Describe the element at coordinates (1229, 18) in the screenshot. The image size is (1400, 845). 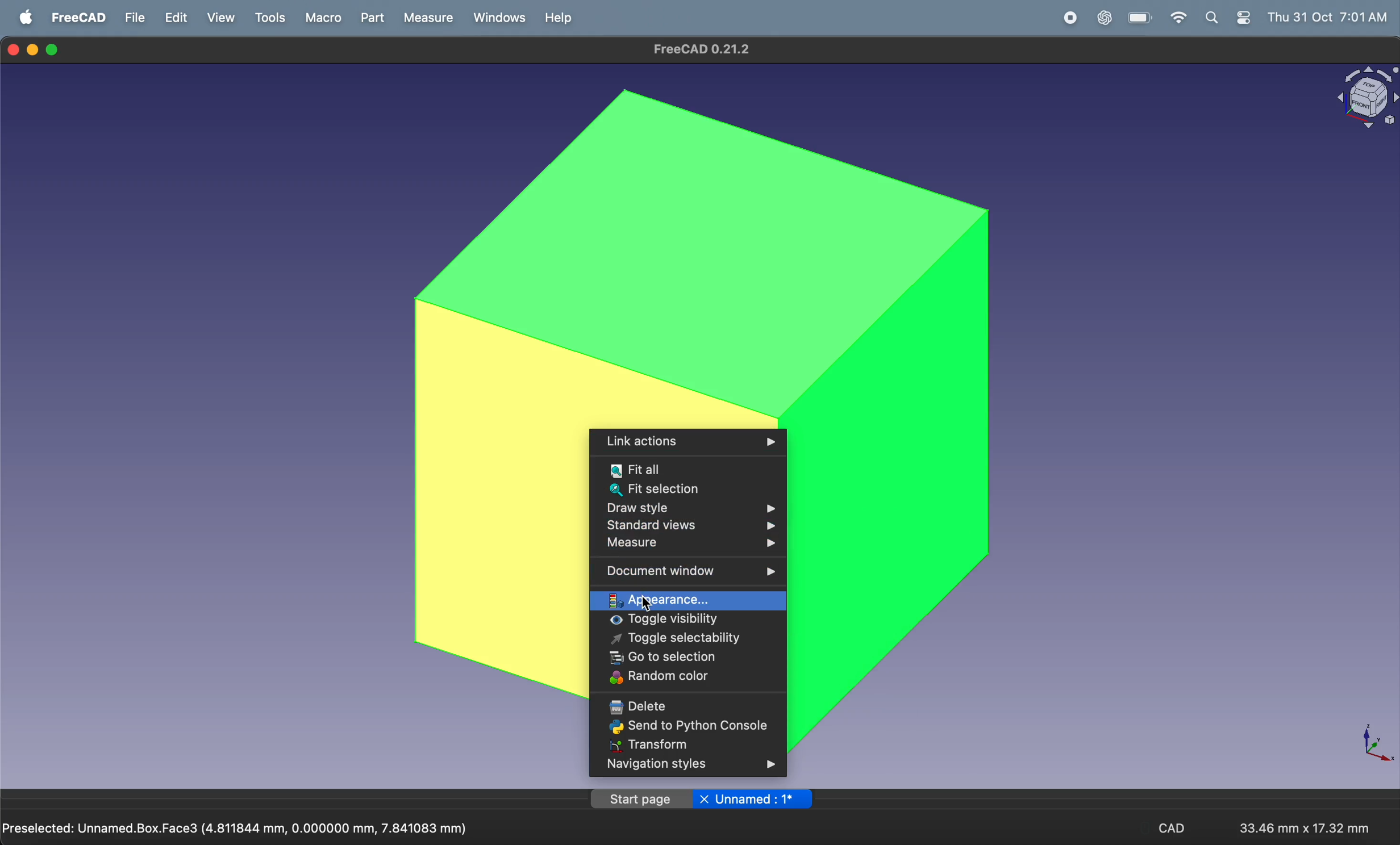
I see `apple widgets` at that location.